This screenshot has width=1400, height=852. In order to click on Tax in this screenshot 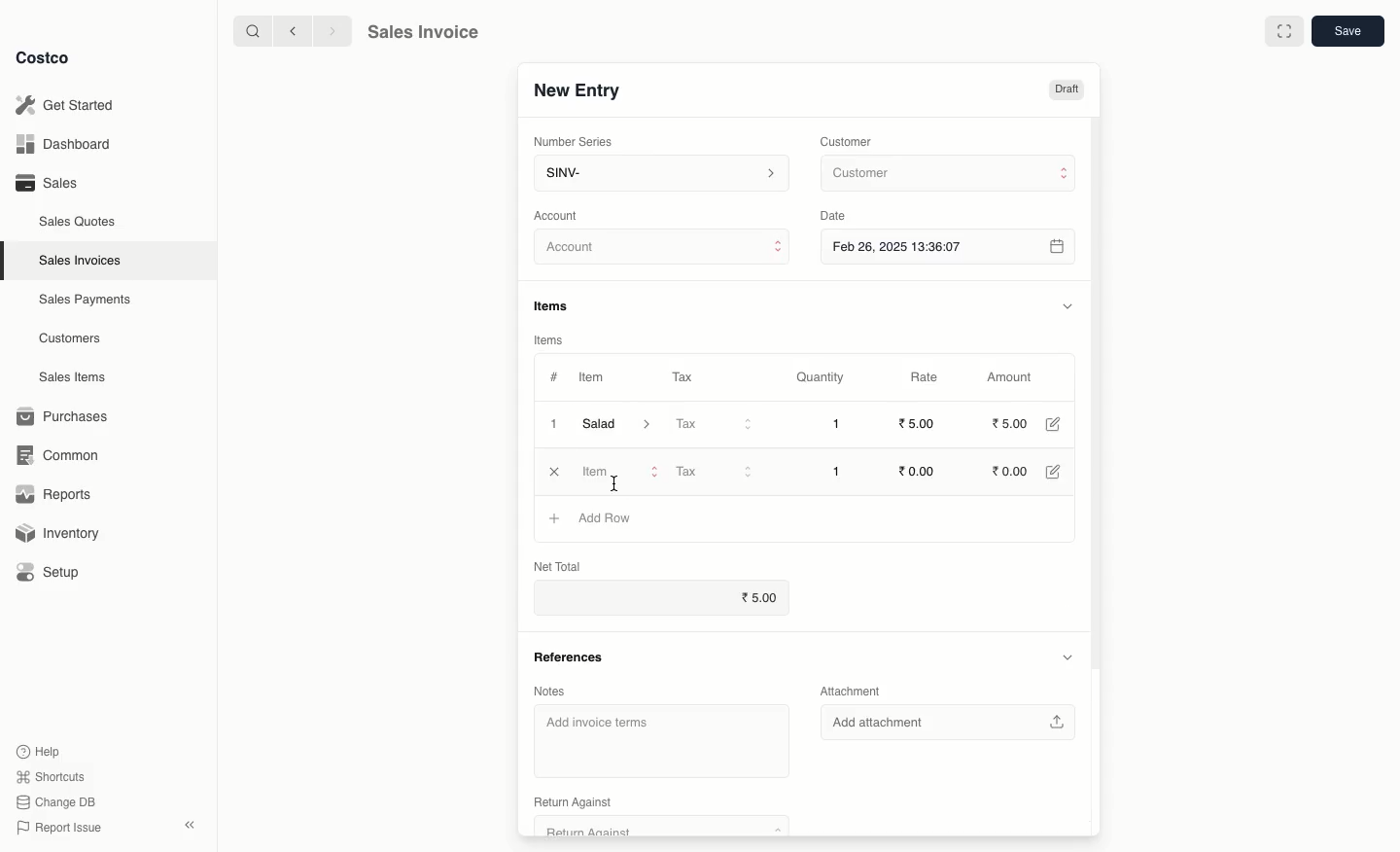, I will do `click(682, 373)`.